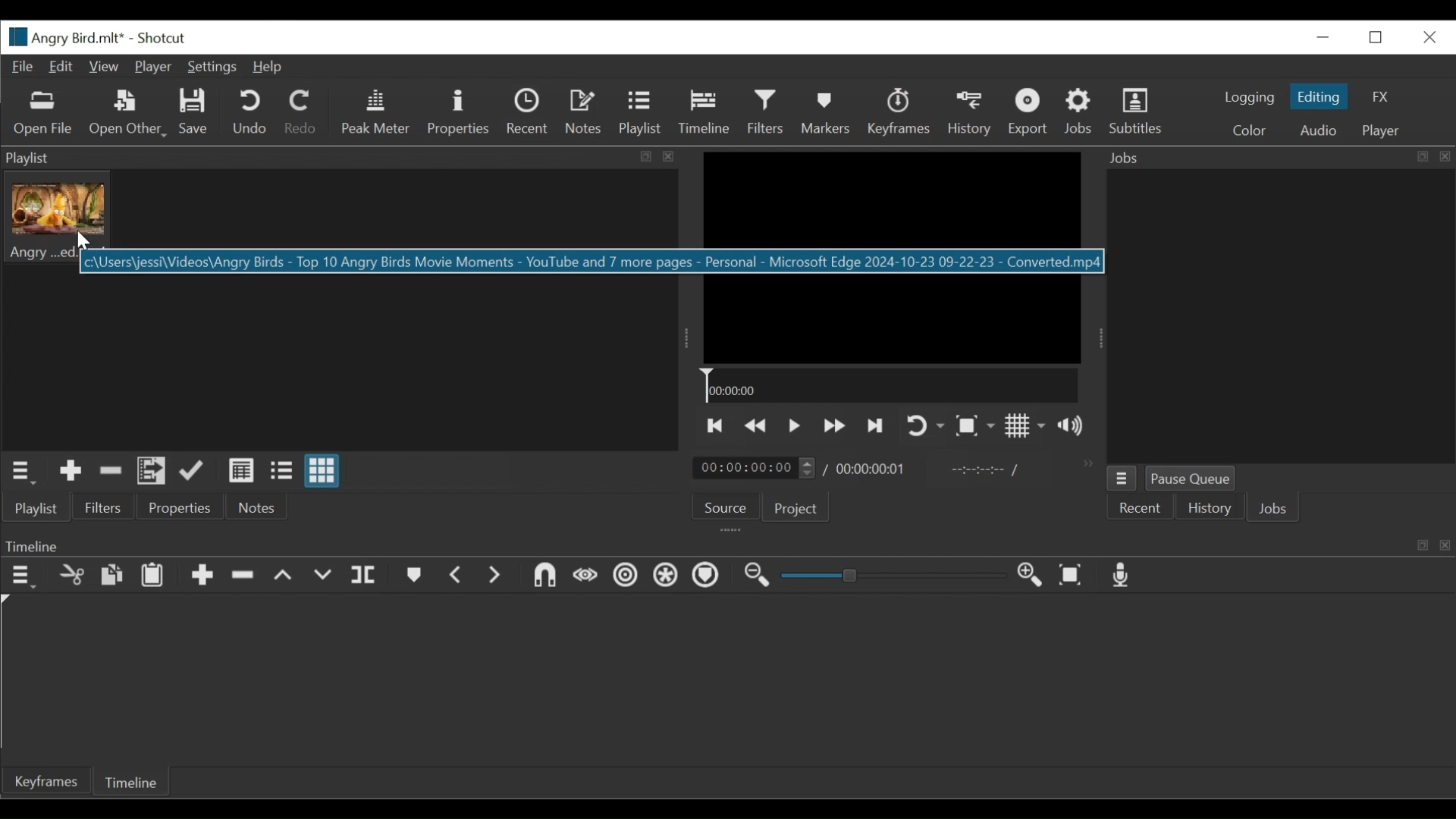 The height and width of the screenshot is (819, 1456). I want to click on Add the Source to the playlist, so click(71, 470).